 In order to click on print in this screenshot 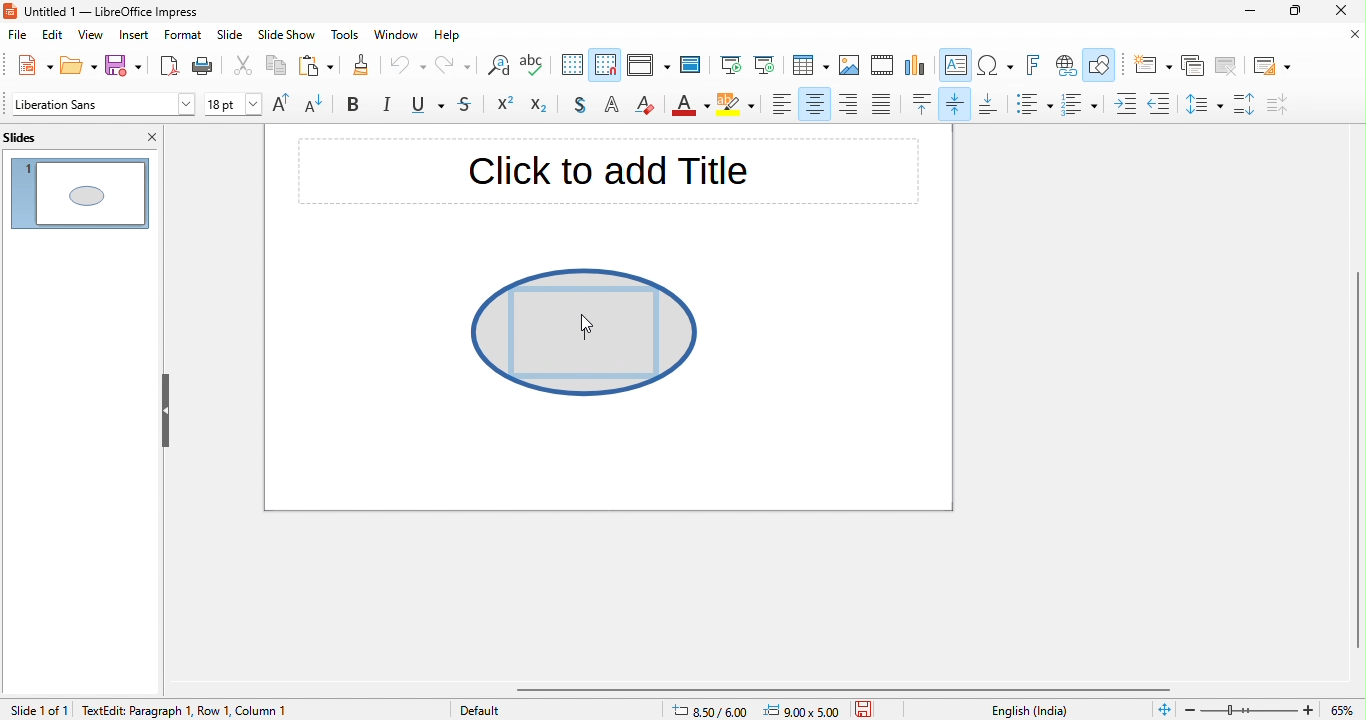, I will do `click(208, 66)`.